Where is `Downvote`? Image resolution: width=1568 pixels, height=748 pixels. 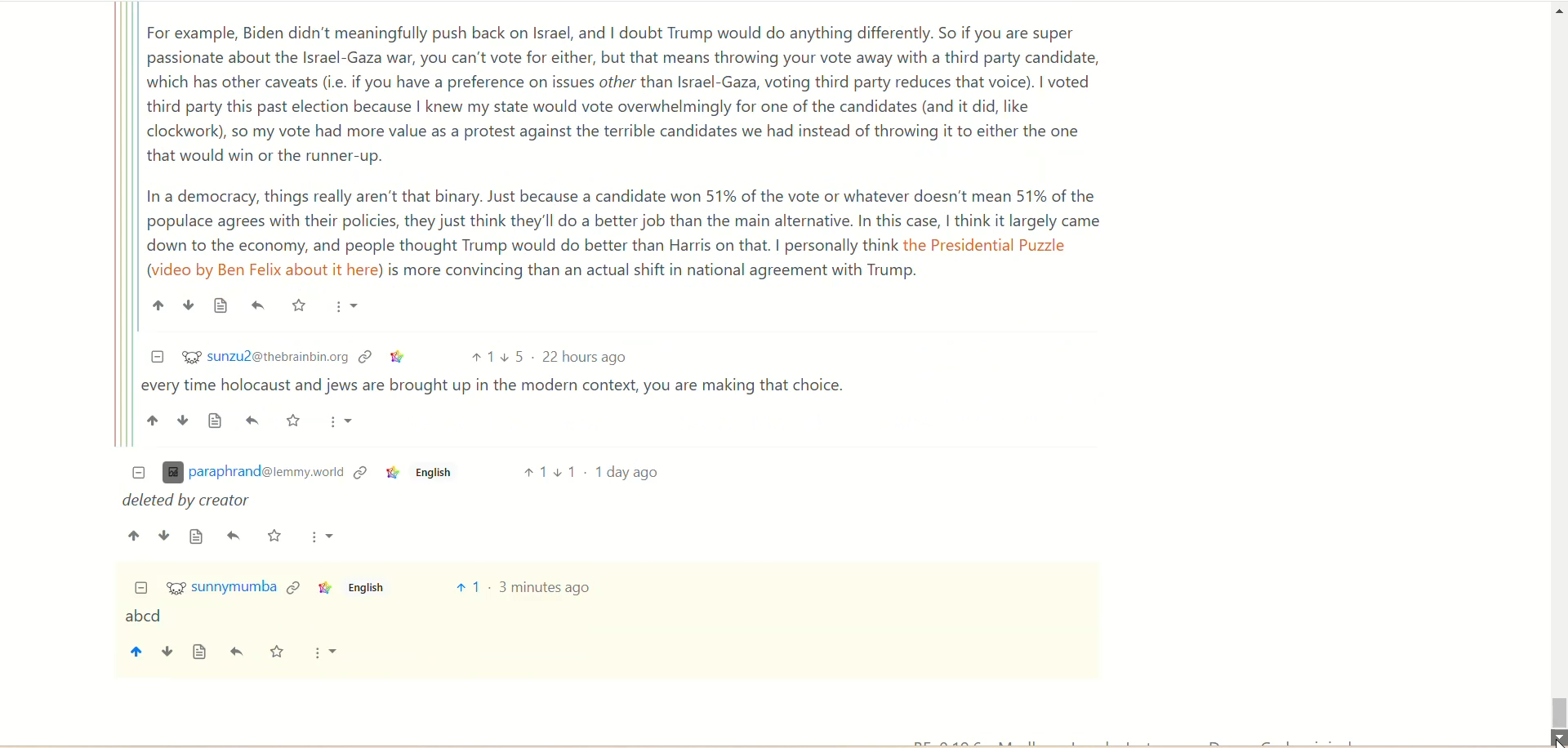
Downvote is located at coordinates (164, 536).